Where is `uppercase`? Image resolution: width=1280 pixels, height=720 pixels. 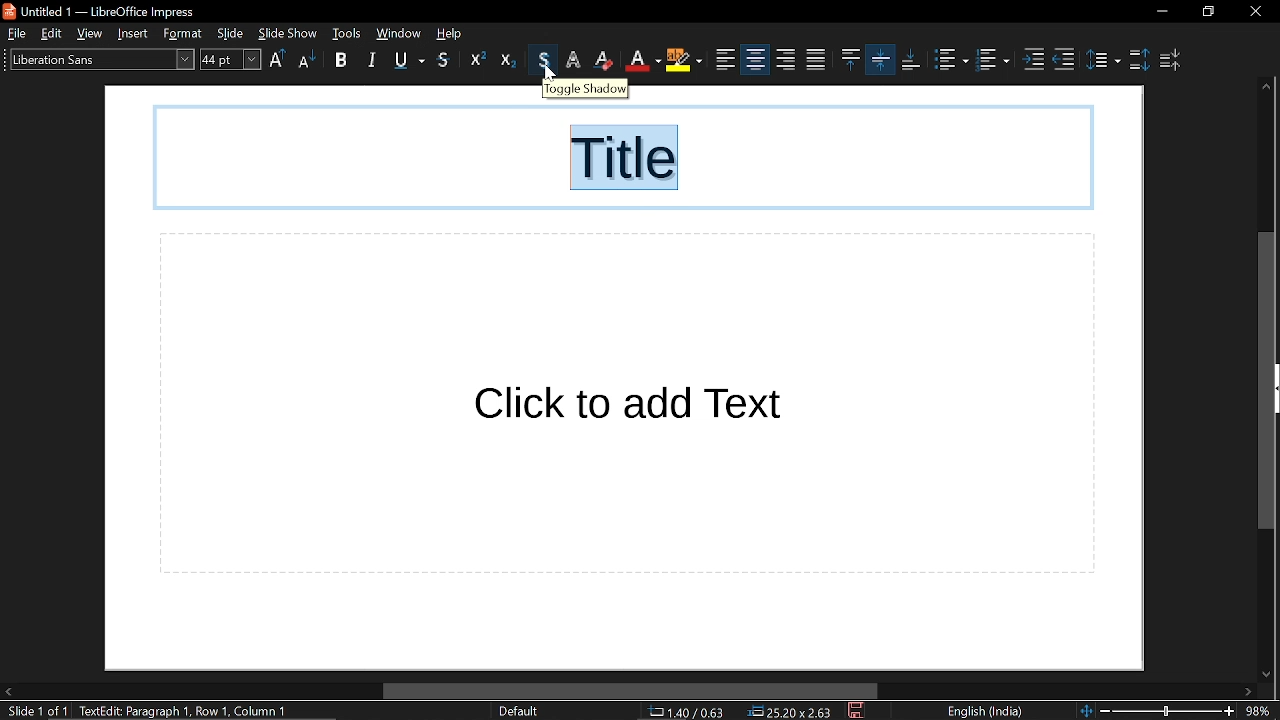
uppercase is located at coordinates (278, 61).